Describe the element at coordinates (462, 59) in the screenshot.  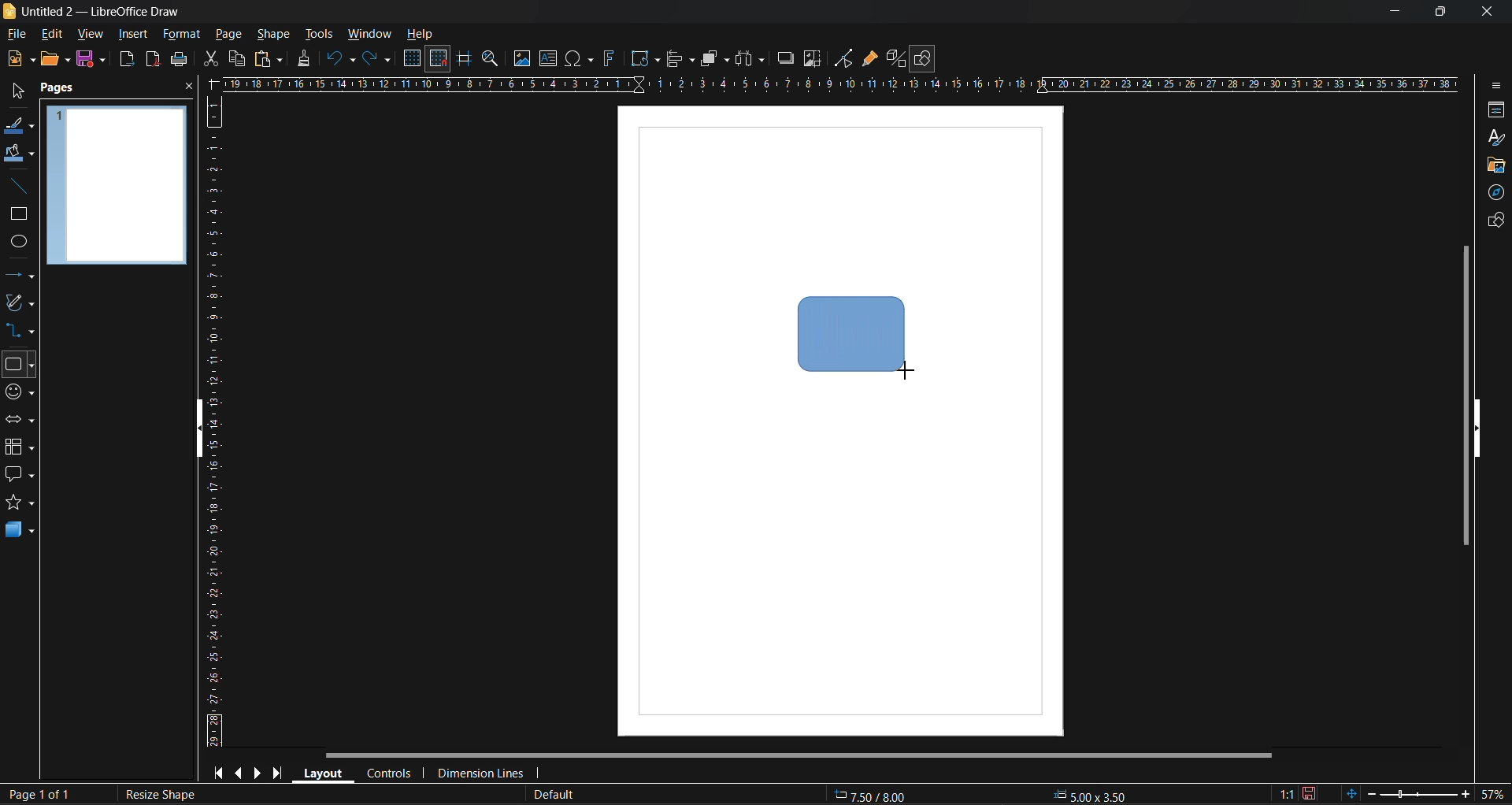
I see `helplines` at that location.